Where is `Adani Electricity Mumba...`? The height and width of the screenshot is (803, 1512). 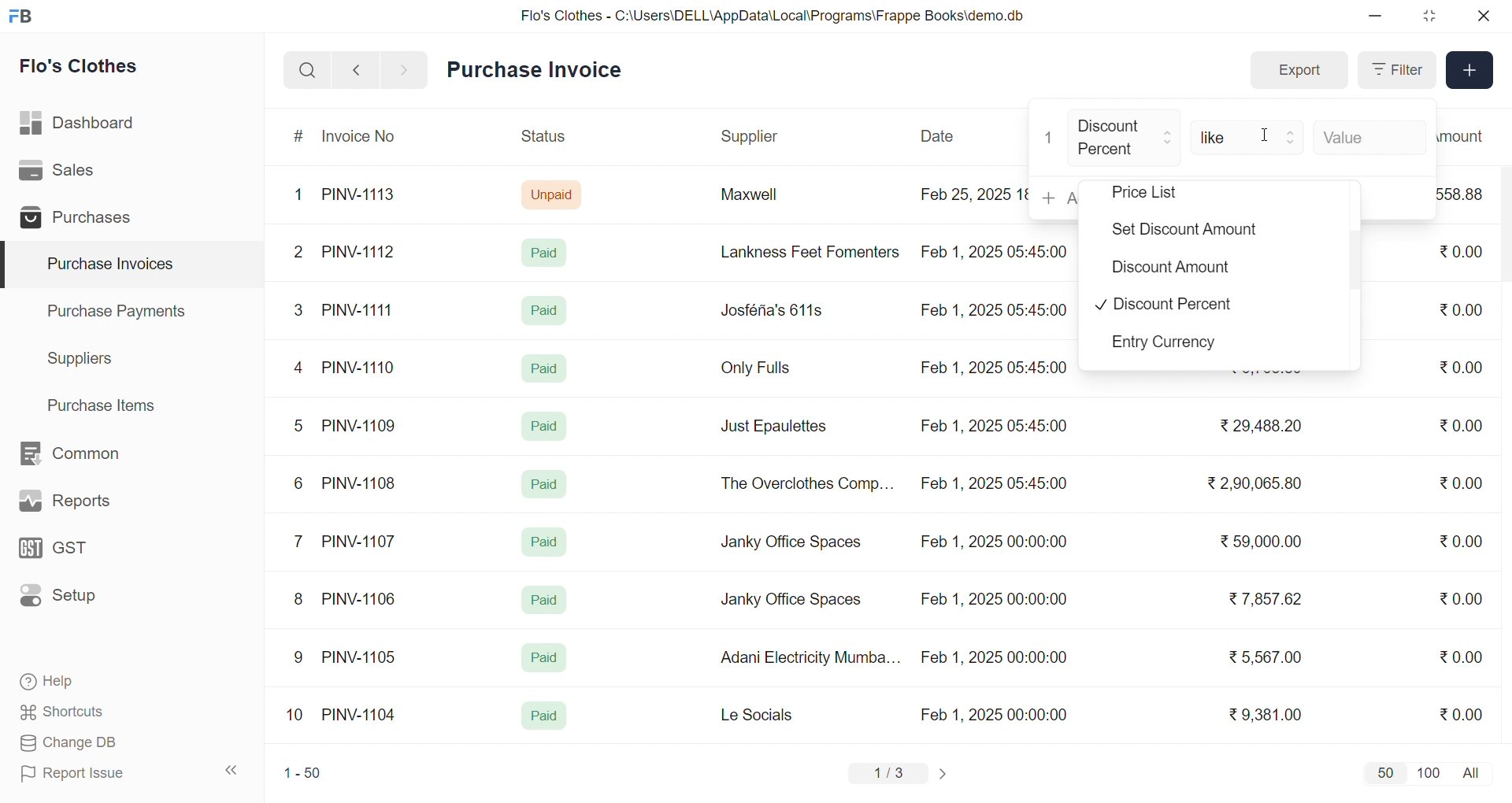
Adani Electricity Mumba... is located at coordinates (812, 658).